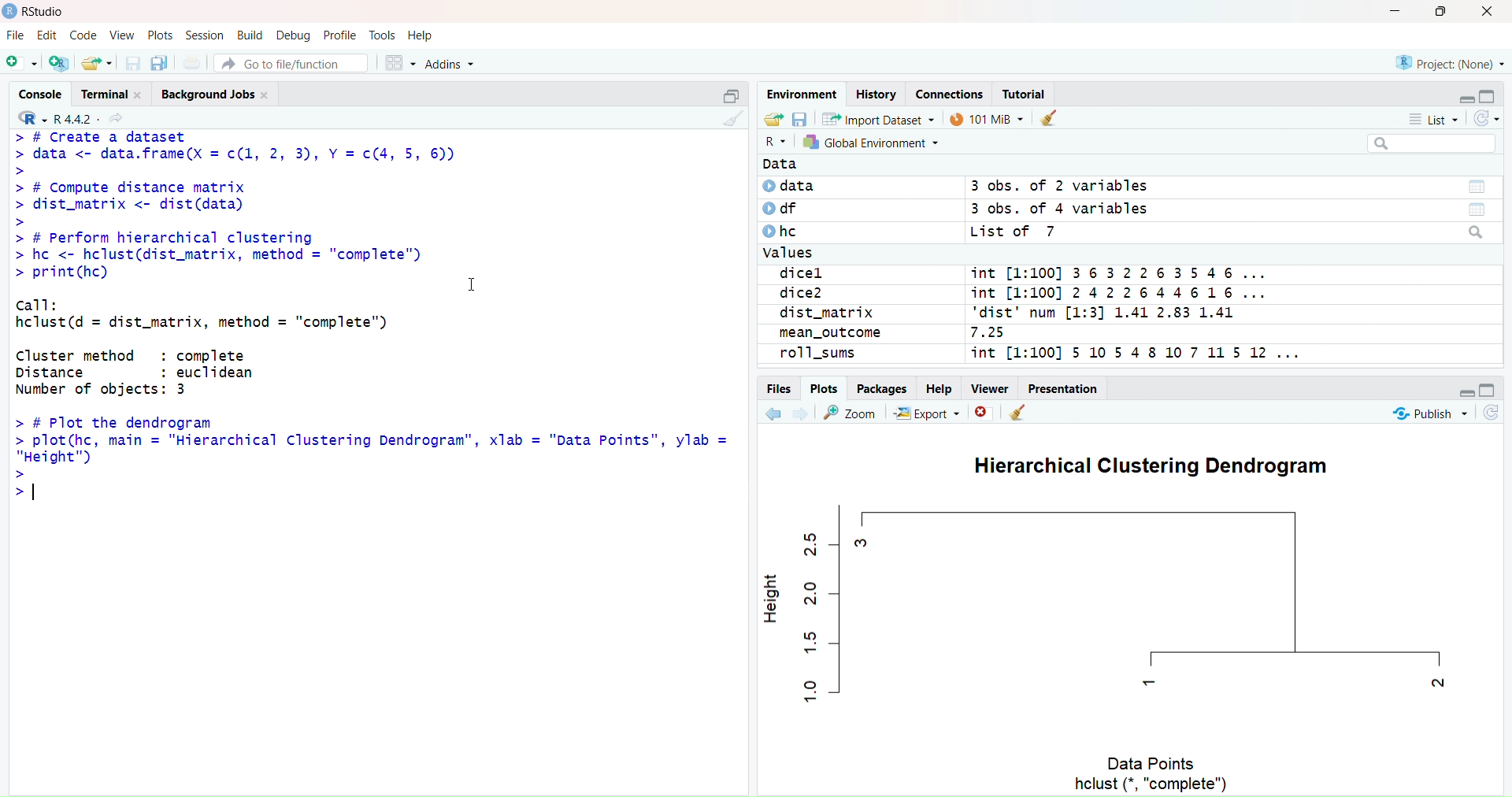 The height and width of the screenshot is (797, 1512). I want to click on Plots, so click(160, 35).